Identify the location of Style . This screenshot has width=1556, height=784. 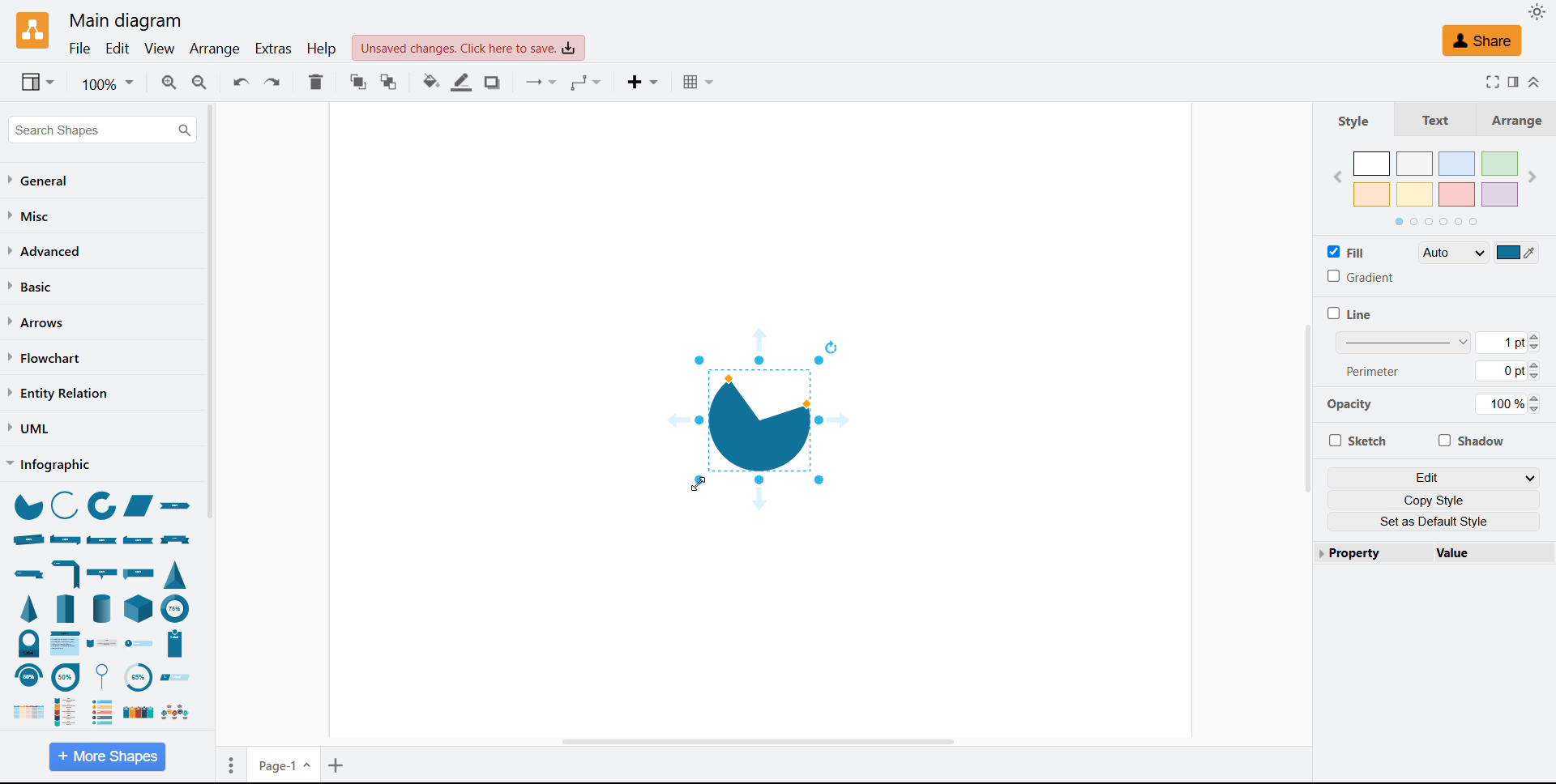
(1354, 120).